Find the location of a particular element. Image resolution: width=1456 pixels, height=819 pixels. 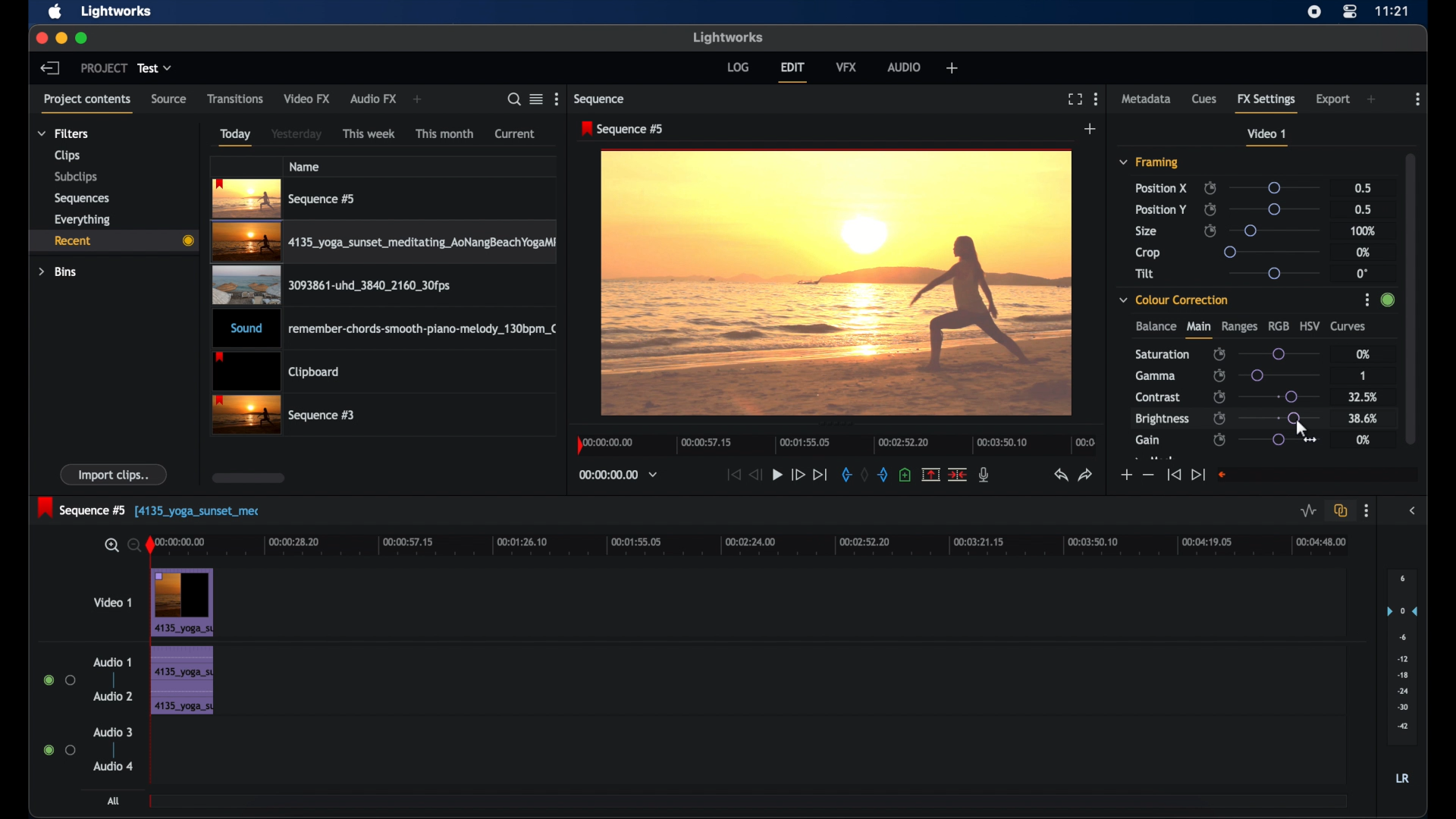

bins is located at coordinates (58, 272).